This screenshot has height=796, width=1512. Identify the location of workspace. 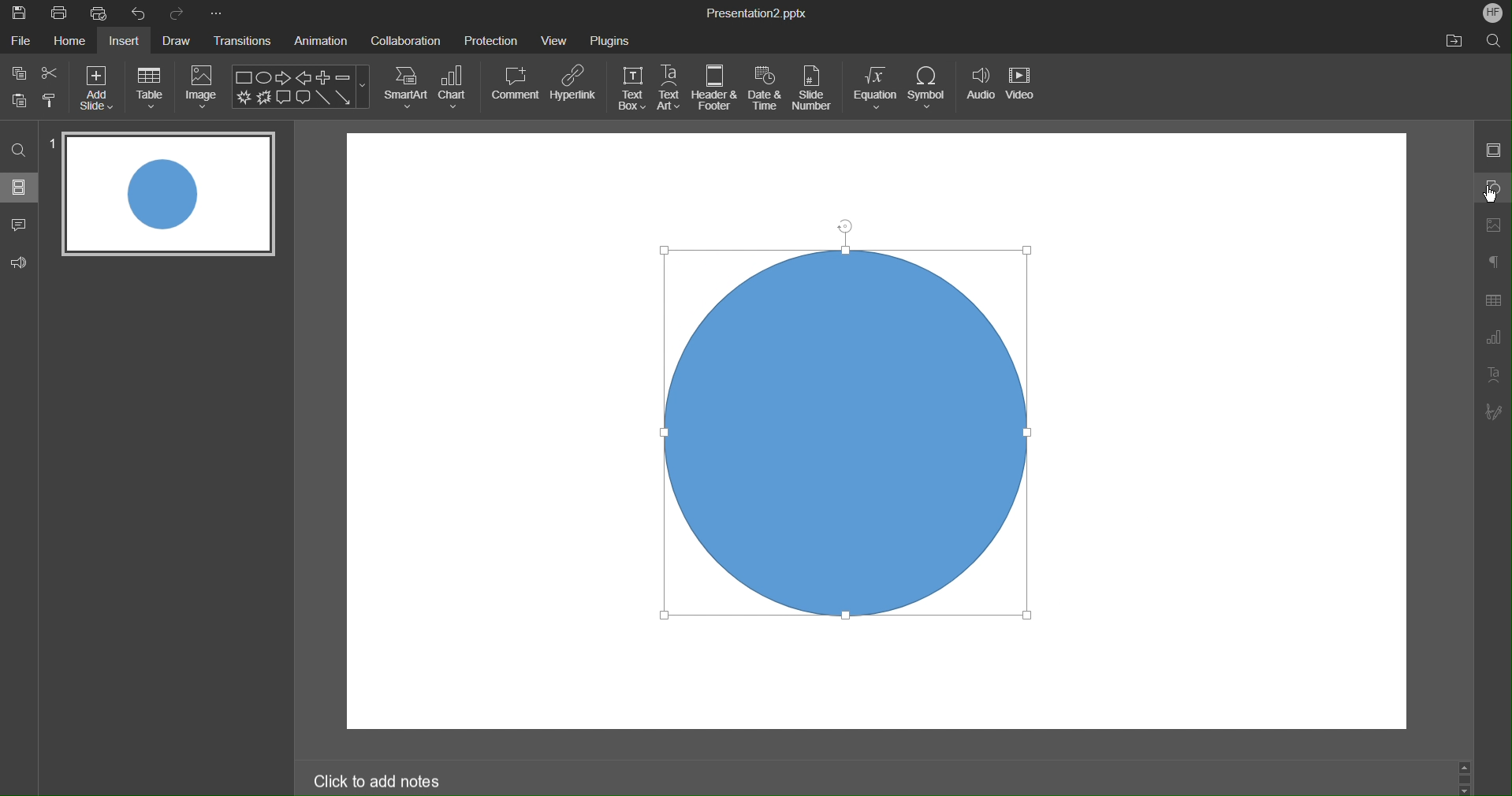
(1240, 432).